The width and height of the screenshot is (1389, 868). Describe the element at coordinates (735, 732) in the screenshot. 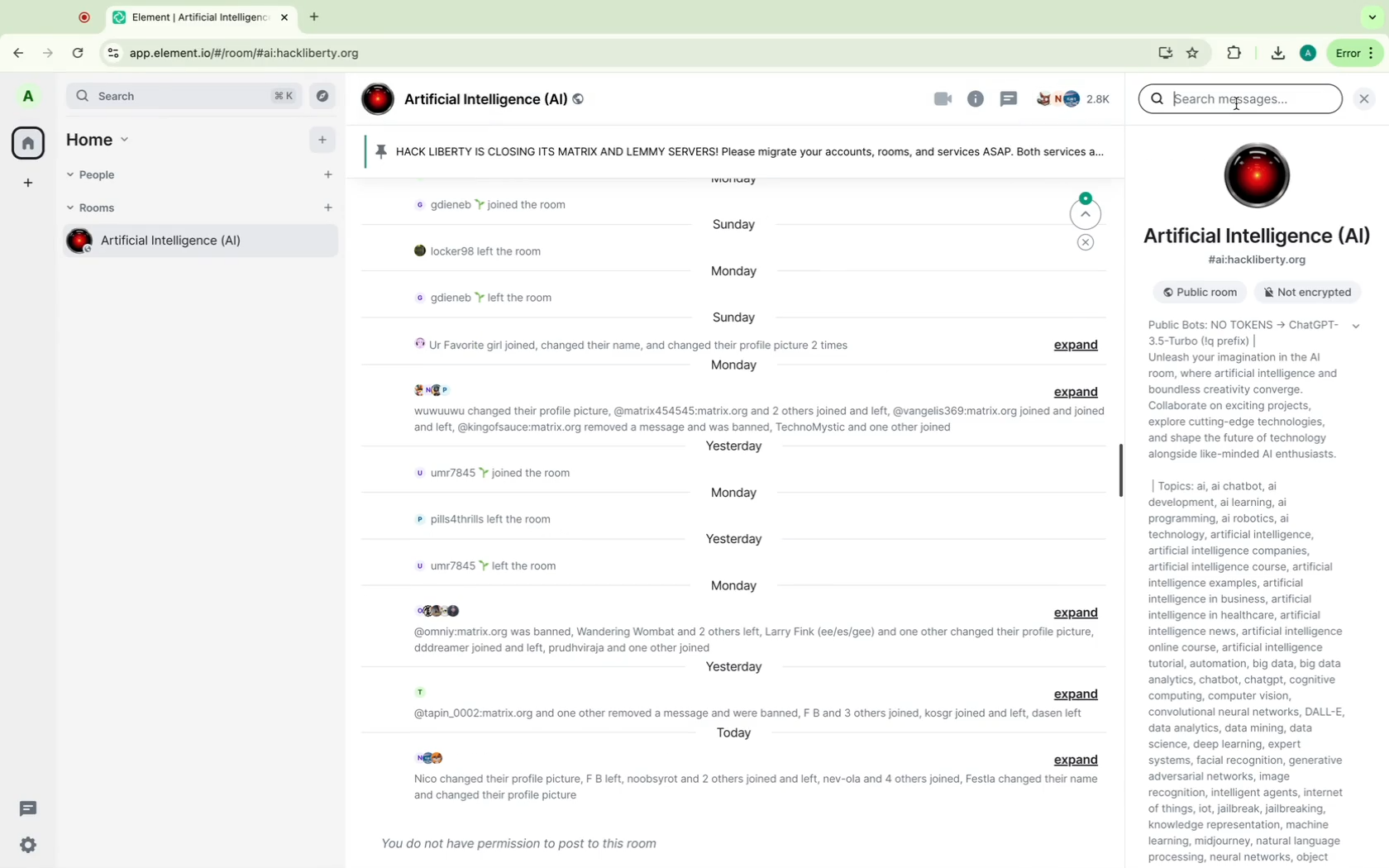

I see `day` at that location.